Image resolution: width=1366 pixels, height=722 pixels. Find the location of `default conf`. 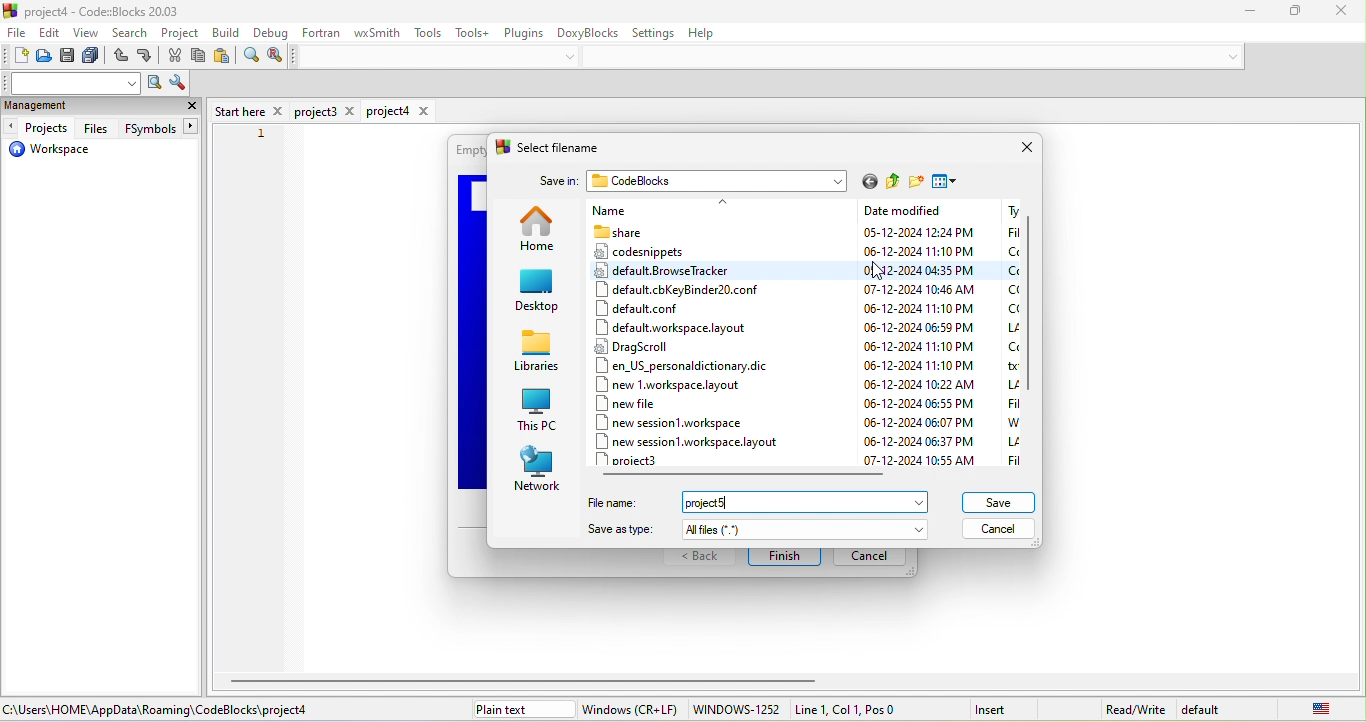

default conf is located at coordinates (667, 310).